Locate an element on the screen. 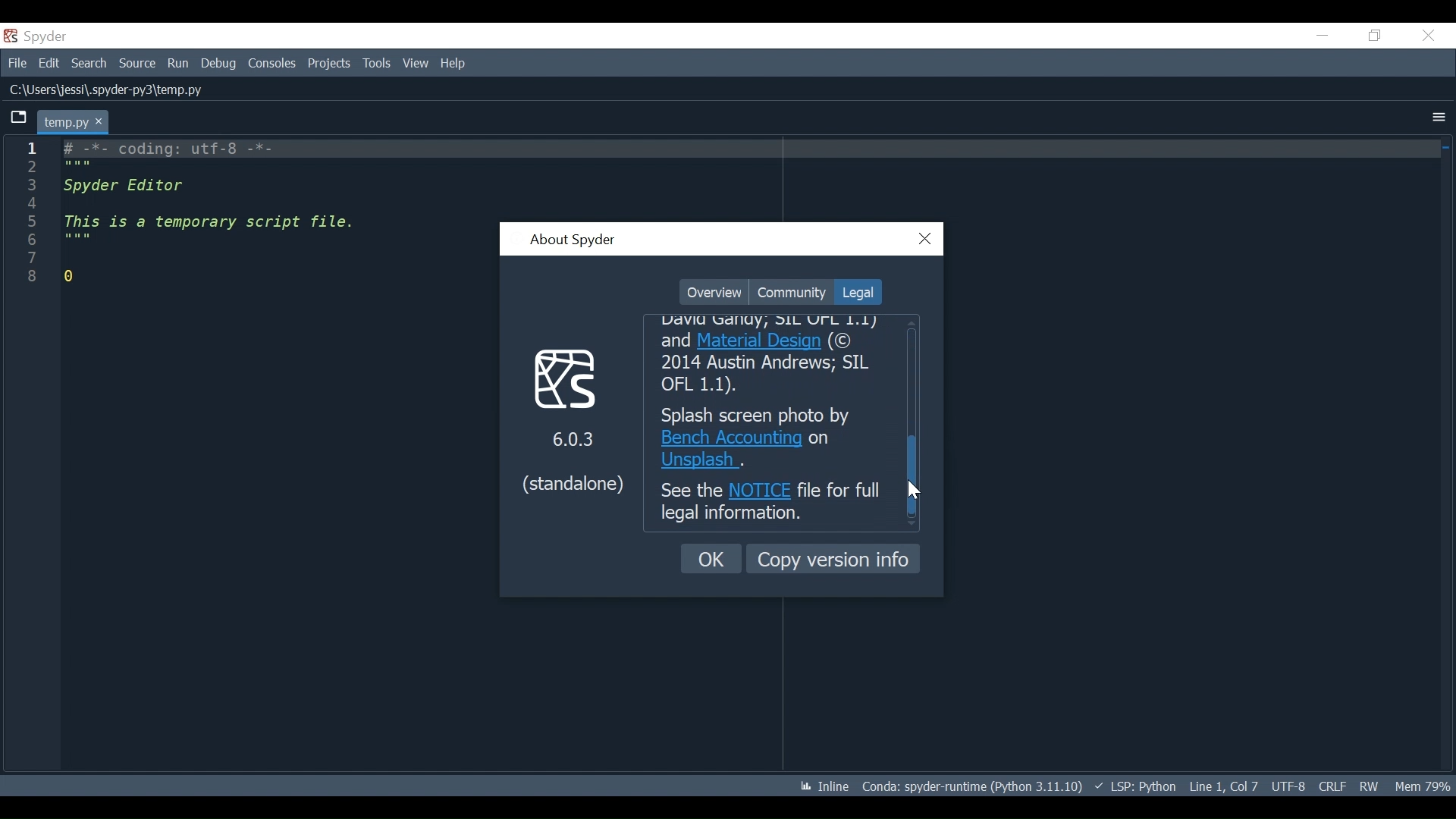 This screenshot has height=819, width=1456. Close is located at coordinates (926, 240).